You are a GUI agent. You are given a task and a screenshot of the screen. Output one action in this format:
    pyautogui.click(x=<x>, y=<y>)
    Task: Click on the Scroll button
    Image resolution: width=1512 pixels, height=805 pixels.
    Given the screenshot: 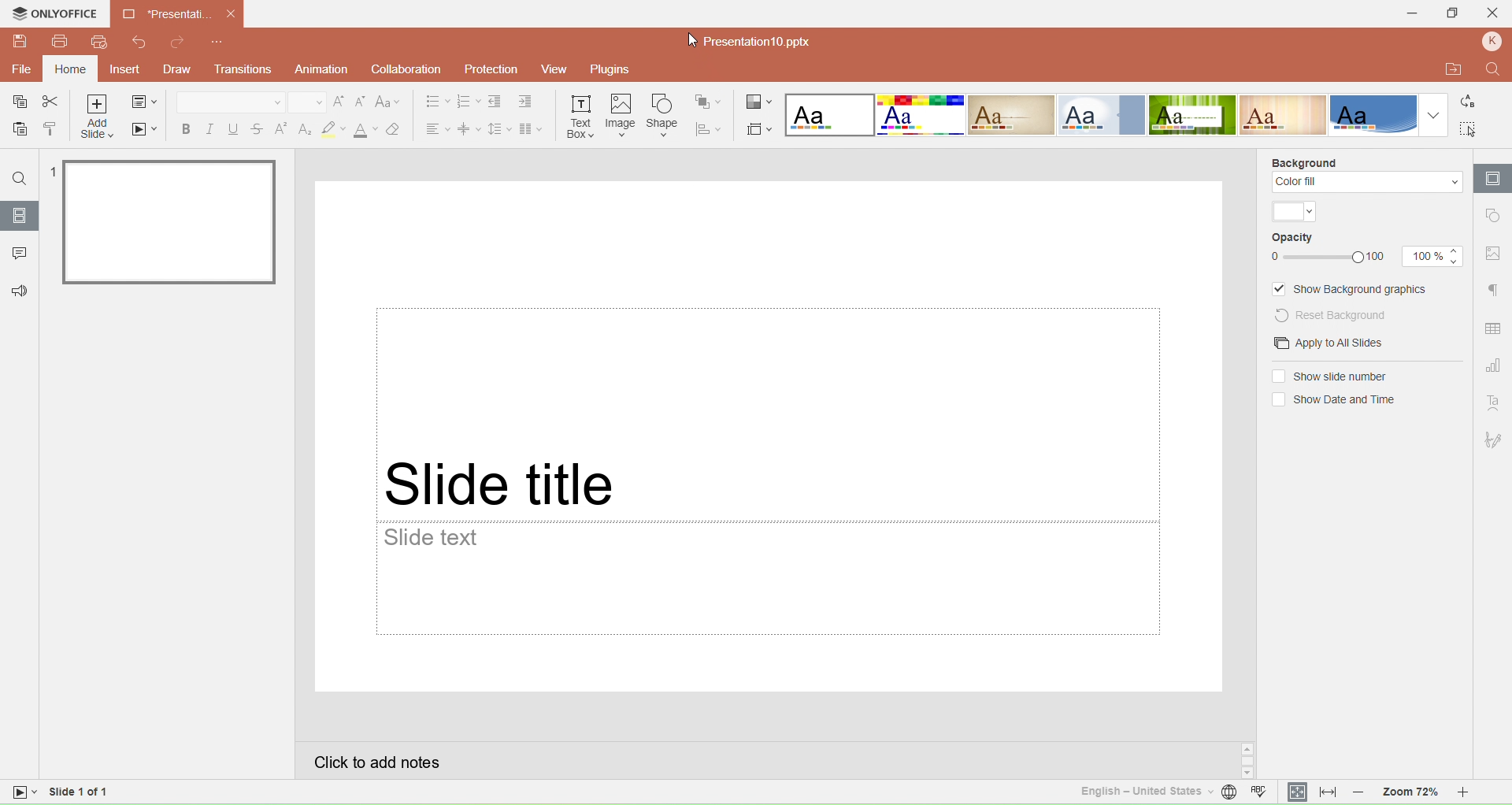 What is the action you would take?
    pyautogui.click(x=1247, y=760)
    